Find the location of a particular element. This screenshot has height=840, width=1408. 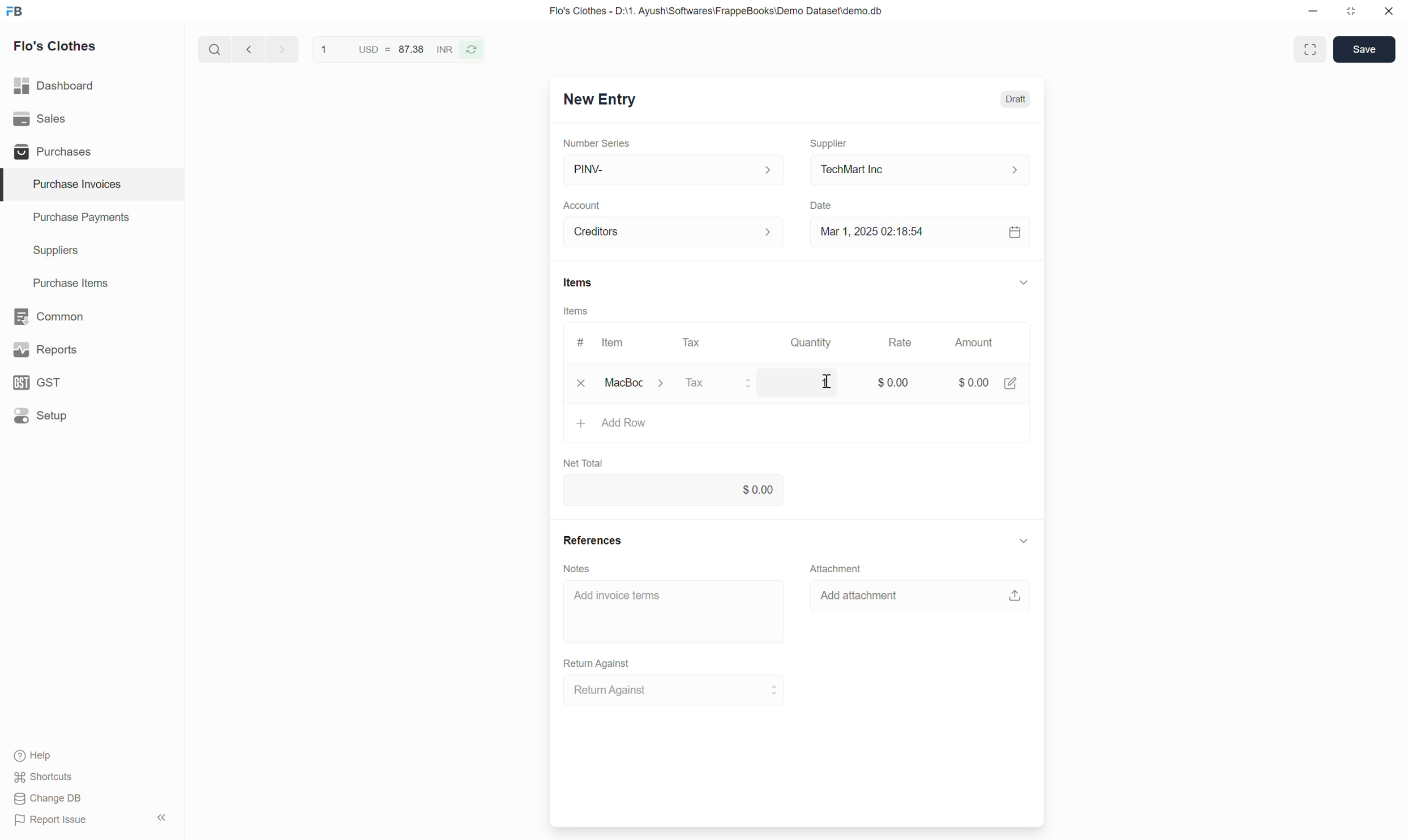

Toggle between form and full width is located at coordinates (1309, 49).